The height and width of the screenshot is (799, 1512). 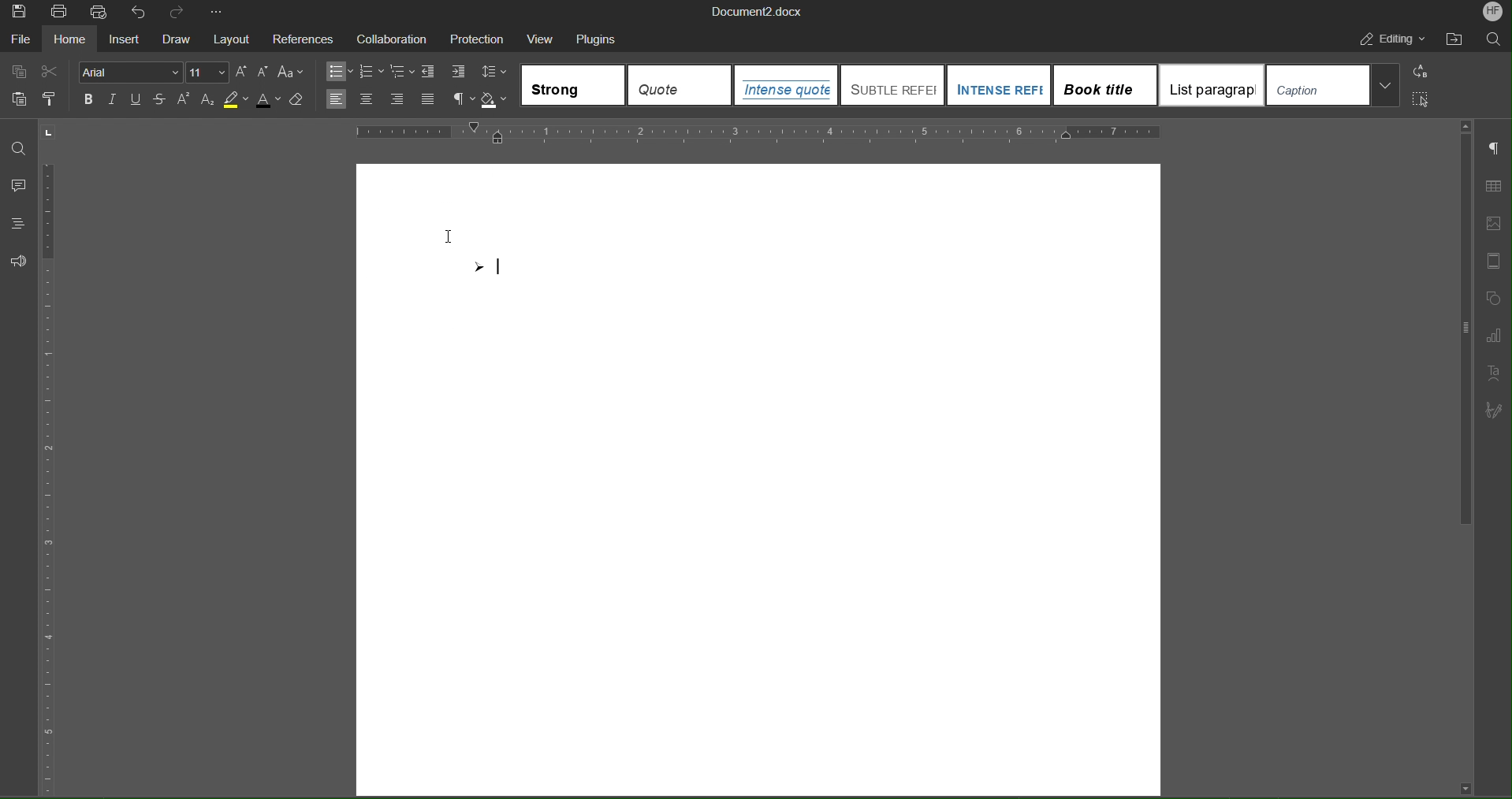 What do you see at coordinates (18, 222) in the screenshot?
I see `Headings` at bounding box center [18, 222].